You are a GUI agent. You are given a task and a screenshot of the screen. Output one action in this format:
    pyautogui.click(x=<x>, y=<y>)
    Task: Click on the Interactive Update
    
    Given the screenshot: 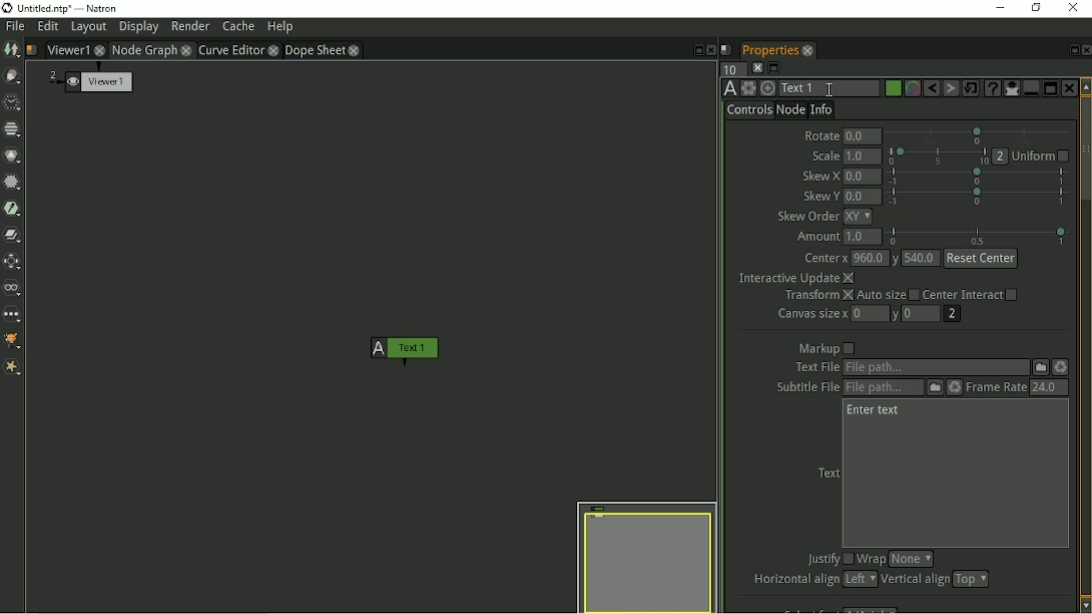 What is the action you would take?
    pyautogui.click(x=797, y=278)
    